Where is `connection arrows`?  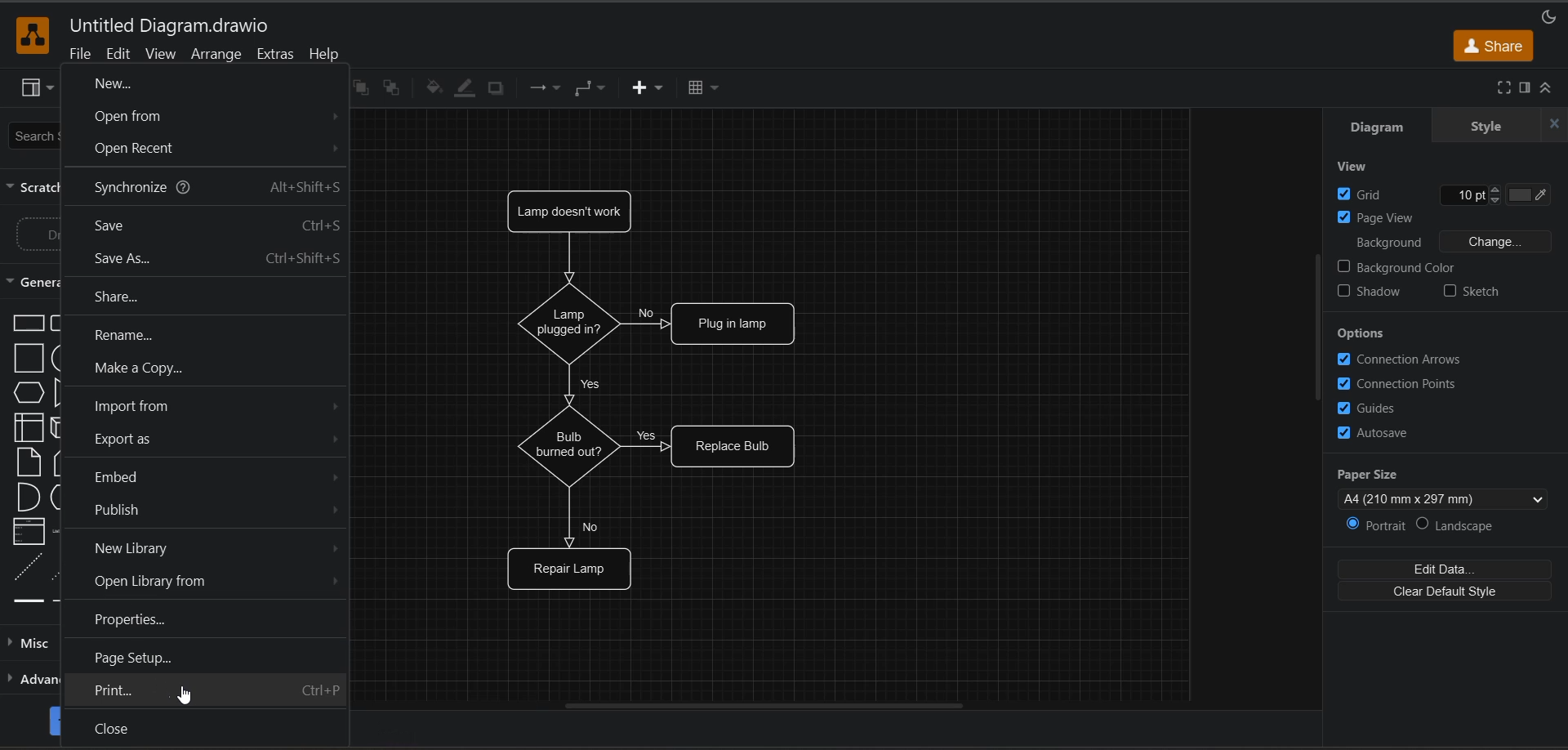
connection arrows is located at coordinates (1416, 357).